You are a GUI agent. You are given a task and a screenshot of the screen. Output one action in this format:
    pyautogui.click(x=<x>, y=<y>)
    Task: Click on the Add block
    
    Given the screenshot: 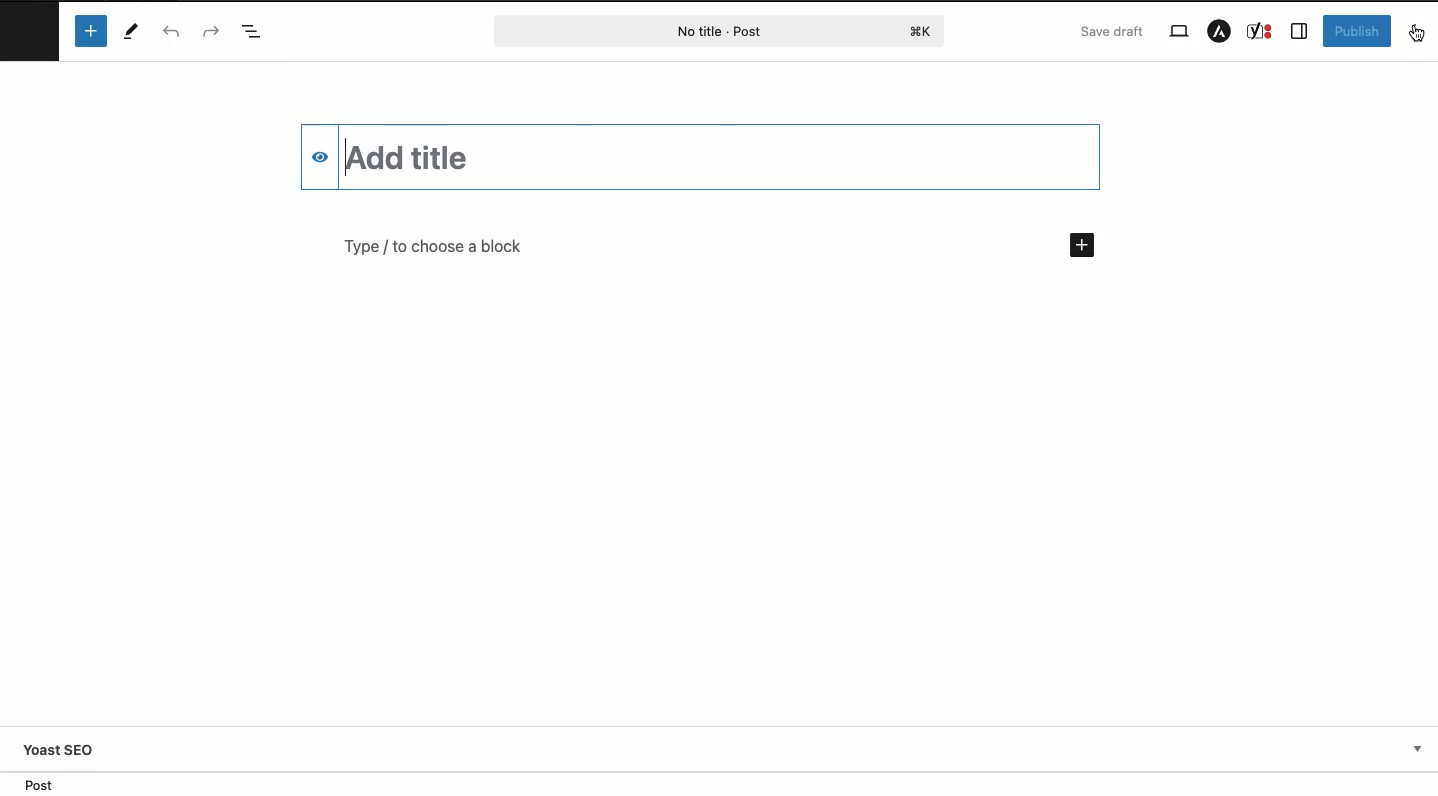 What is the action you would take?
    pyautogui.click(x=1087, y=242)
    